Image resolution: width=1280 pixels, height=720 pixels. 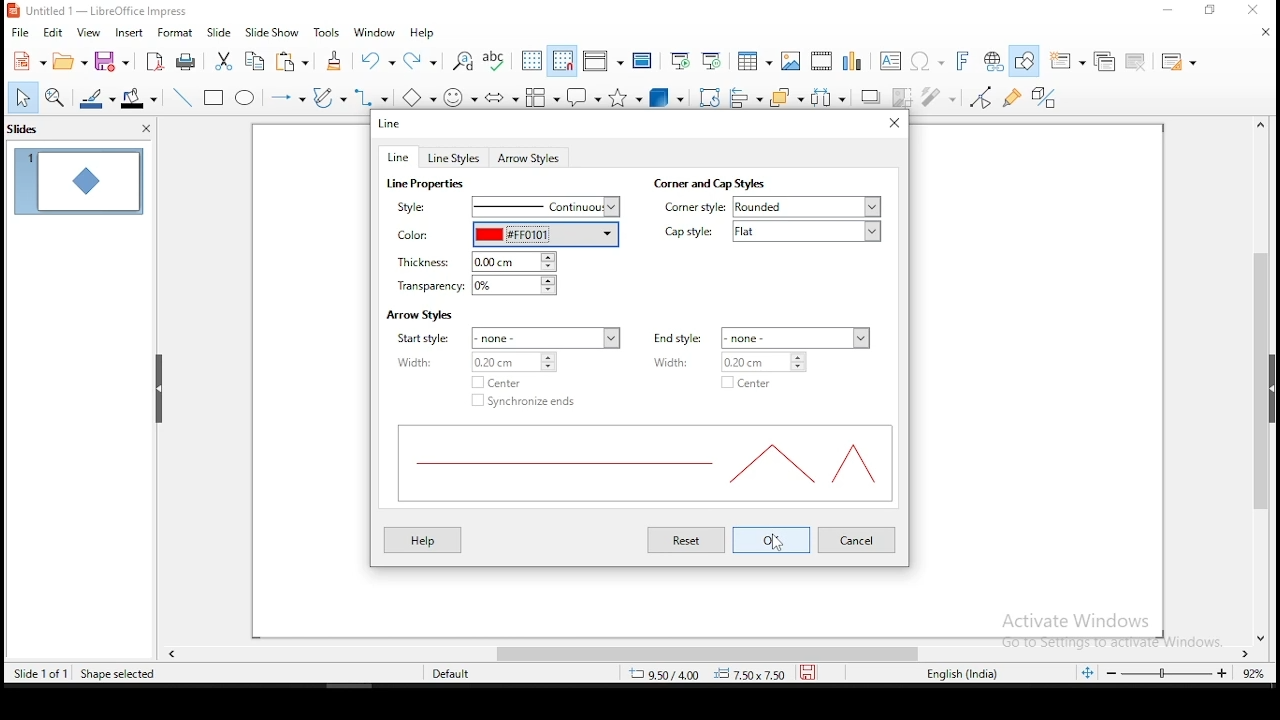 What do you see at coordinates (502, 99) in the screenshot?
I see `block arrows` at bounding box center [502, 99].